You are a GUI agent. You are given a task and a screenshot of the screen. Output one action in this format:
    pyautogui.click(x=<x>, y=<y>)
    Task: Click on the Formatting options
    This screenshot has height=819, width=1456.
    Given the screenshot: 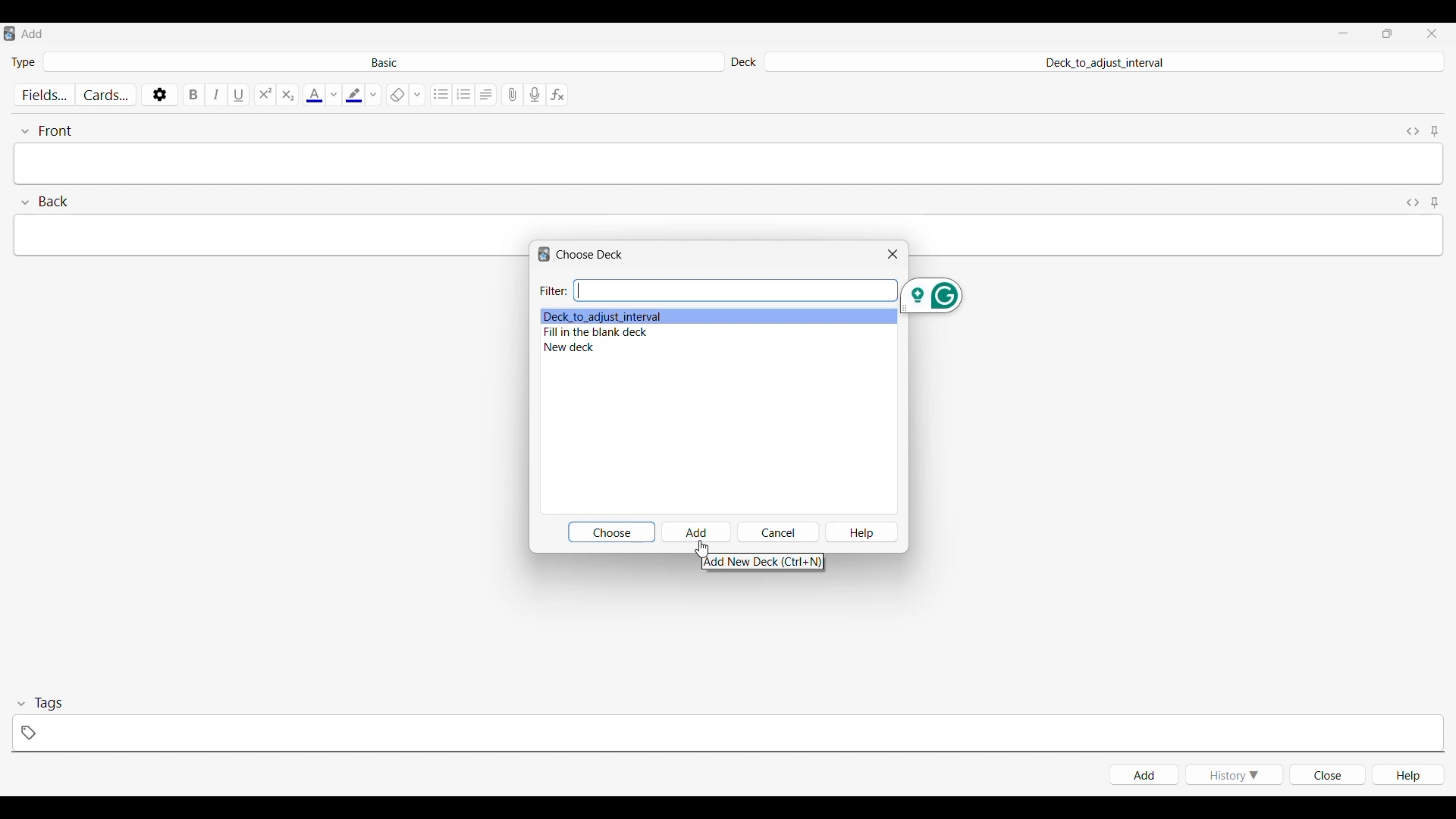 What is the action you would take?
    pyautogui.click(x=417, y=94)
    